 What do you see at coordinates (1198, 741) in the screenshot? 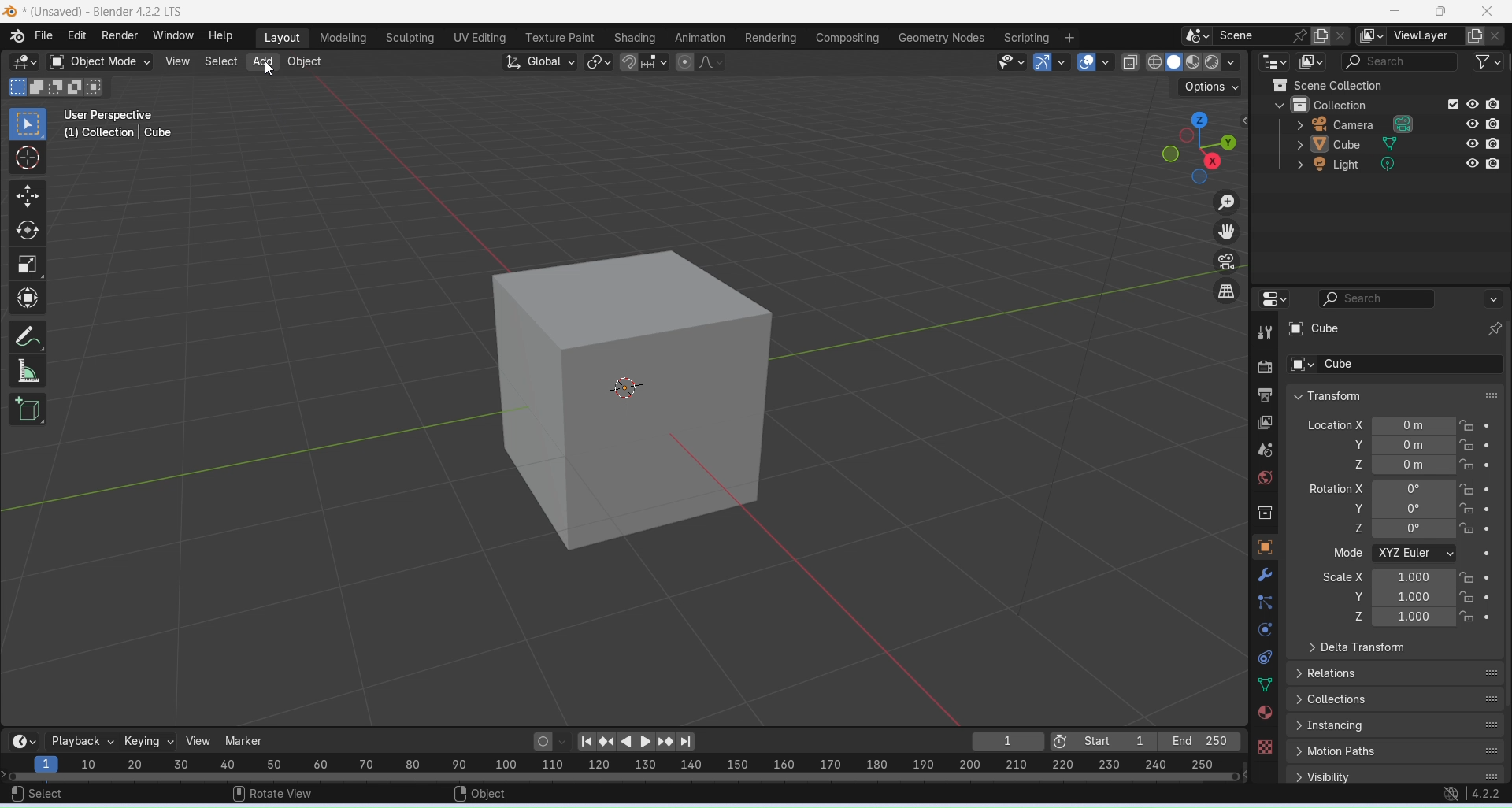
I see `End 250` at bounding box center [1198, 741].